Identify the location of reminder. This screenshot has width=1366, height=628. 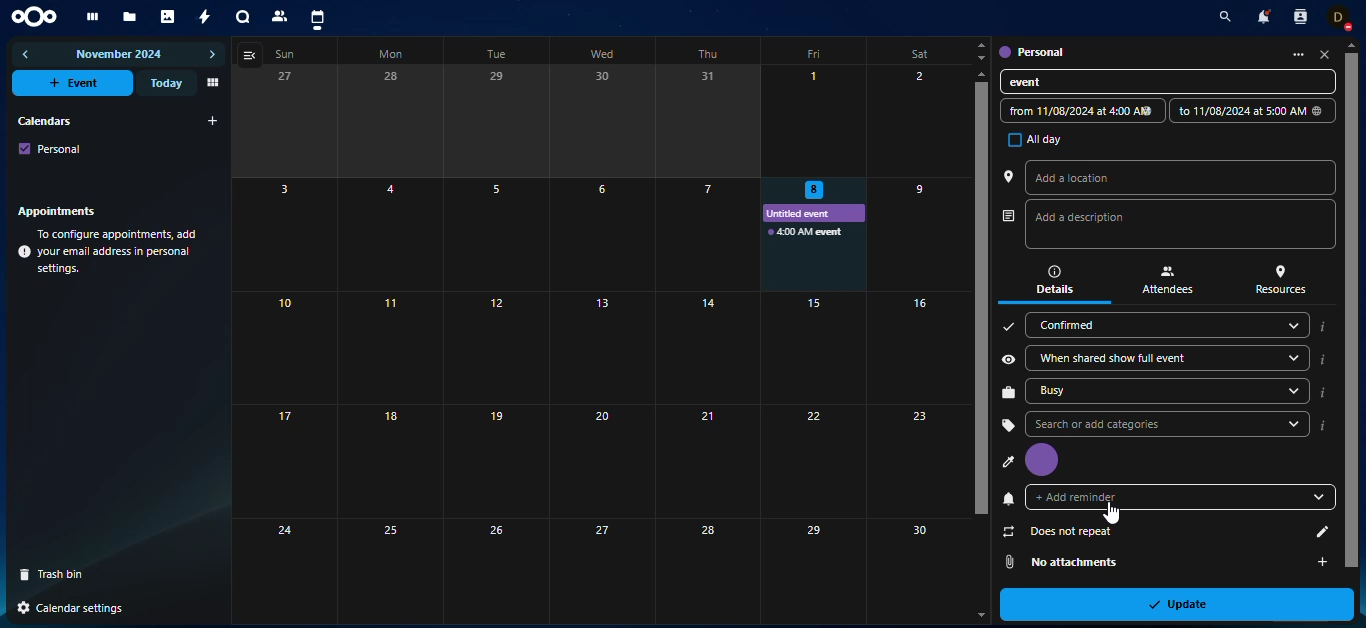
(1009, 498).